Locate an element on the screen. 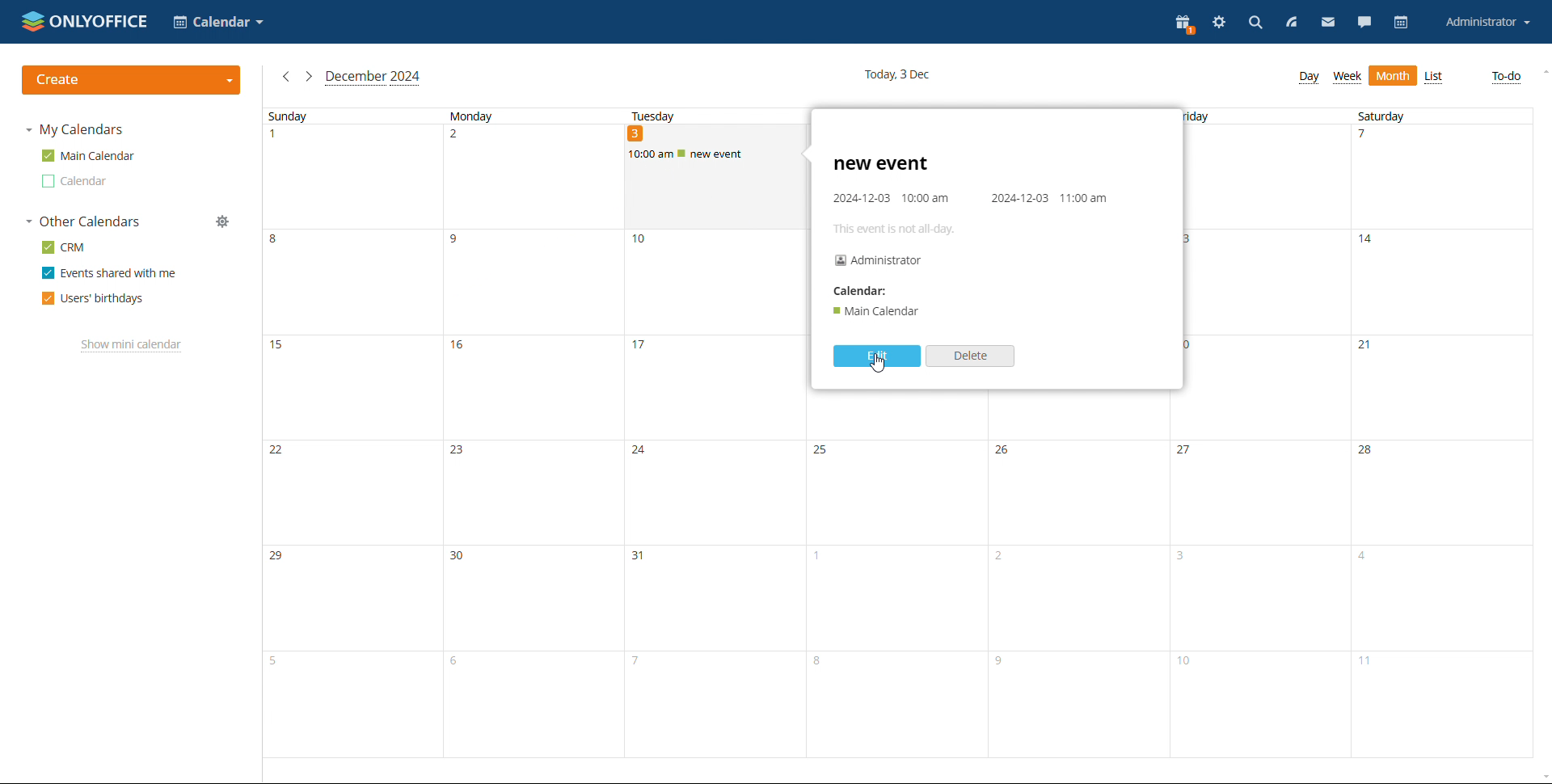 The height and width of the screenshot is (784, 1552). 31 is located at coordinates (711, 599).